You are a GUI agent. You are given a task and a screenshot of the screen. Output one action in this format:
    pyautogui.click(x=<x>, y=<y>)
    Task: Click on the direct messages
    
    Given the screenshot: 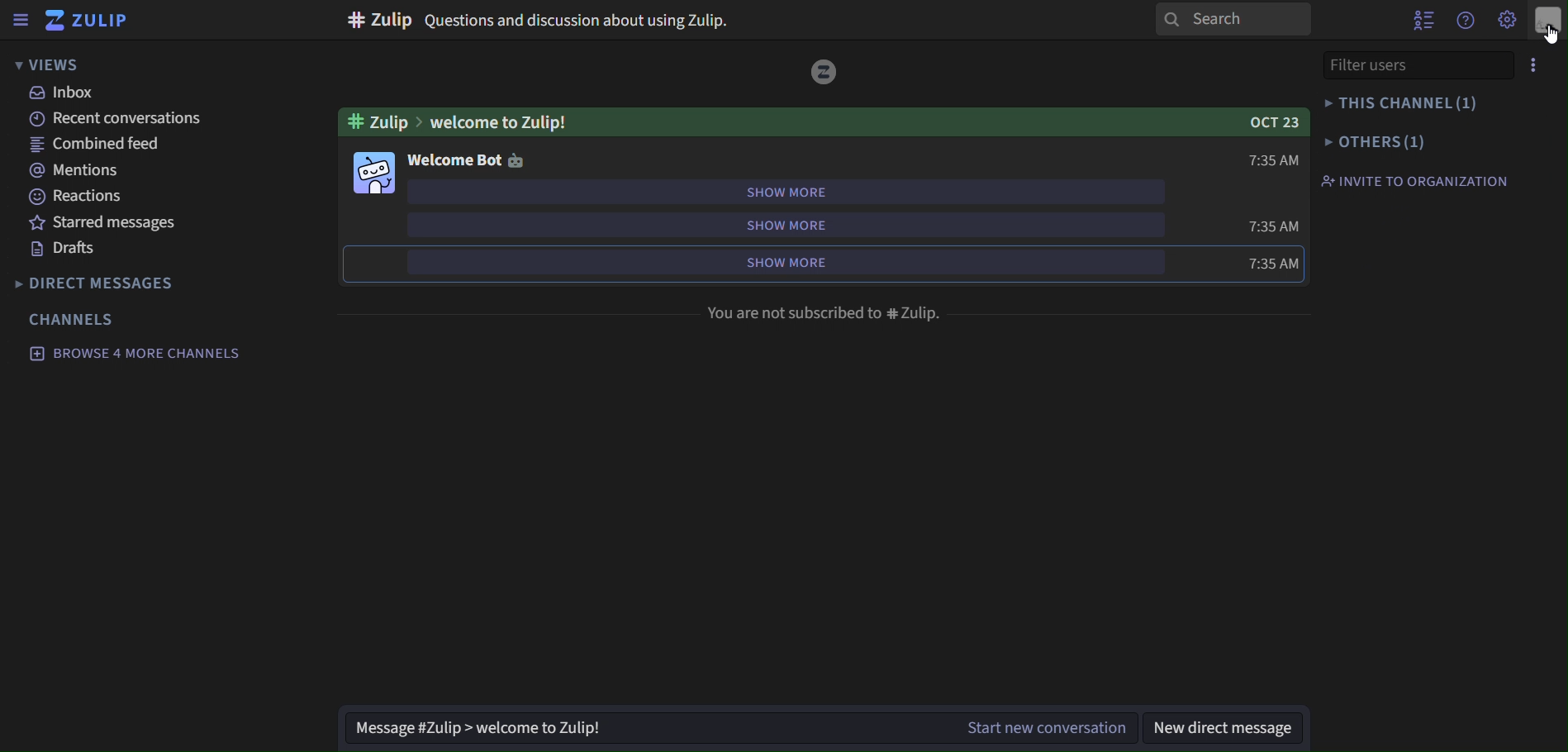 What is the action you would take?
    pyautogui.click(x=98, y=286)
    